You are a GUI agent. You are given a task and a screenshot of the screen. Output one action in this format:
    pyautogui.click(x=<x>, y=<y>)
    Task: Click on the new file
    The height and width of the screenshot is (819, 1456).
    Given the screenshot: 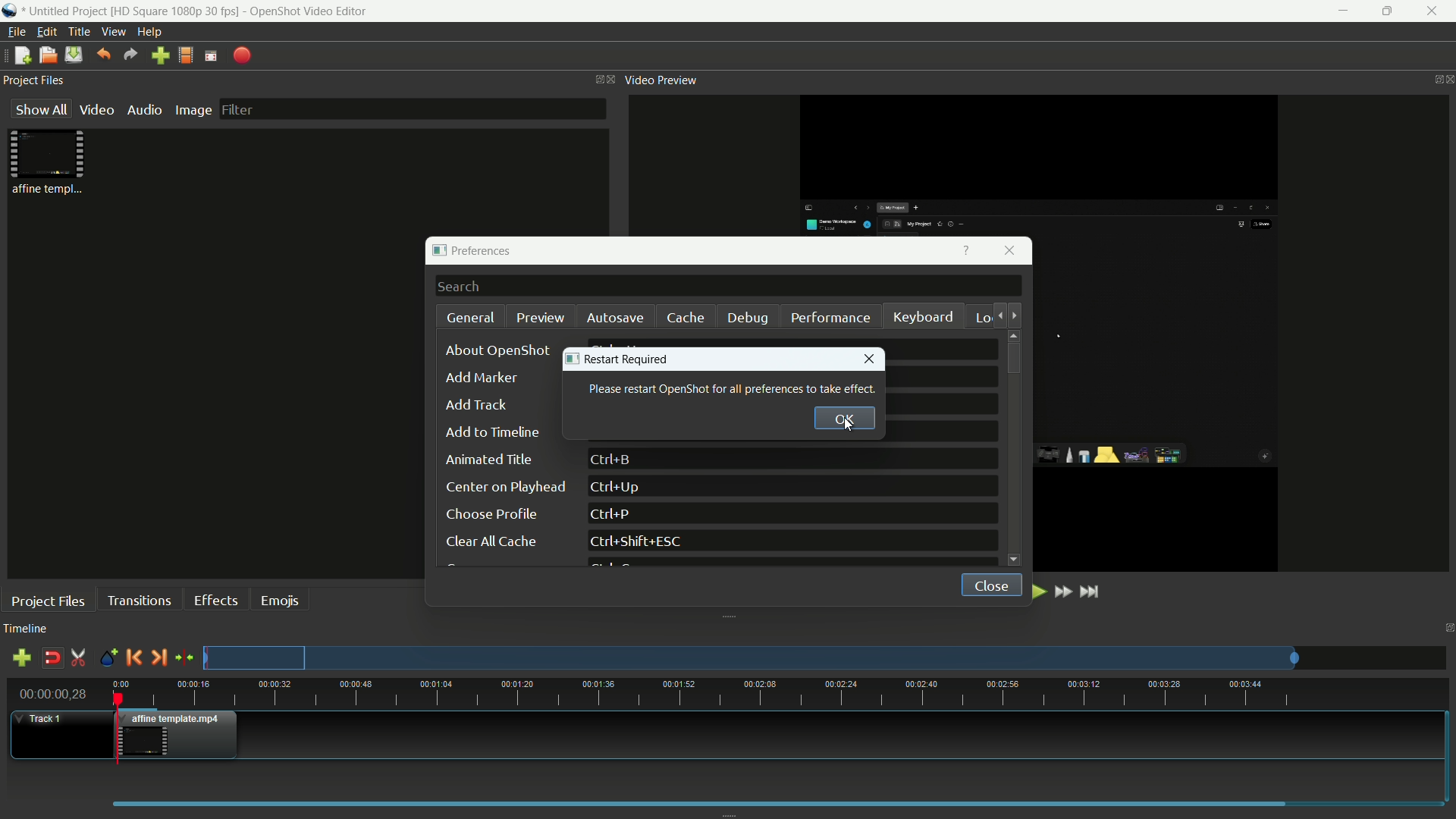 What is the action you would take?
    pyautogui.click(x=20, y=56)
    